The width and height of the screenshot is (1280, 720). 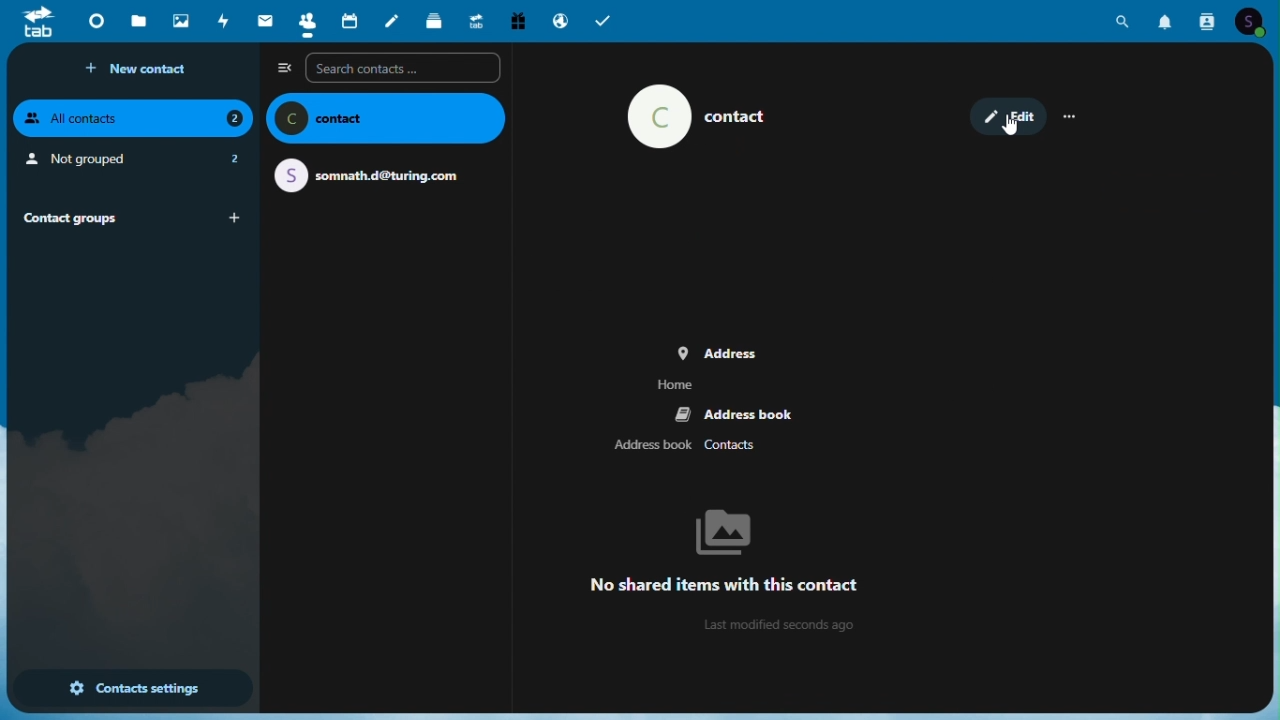 I want to click on edit, so click(x=1009, y=116).